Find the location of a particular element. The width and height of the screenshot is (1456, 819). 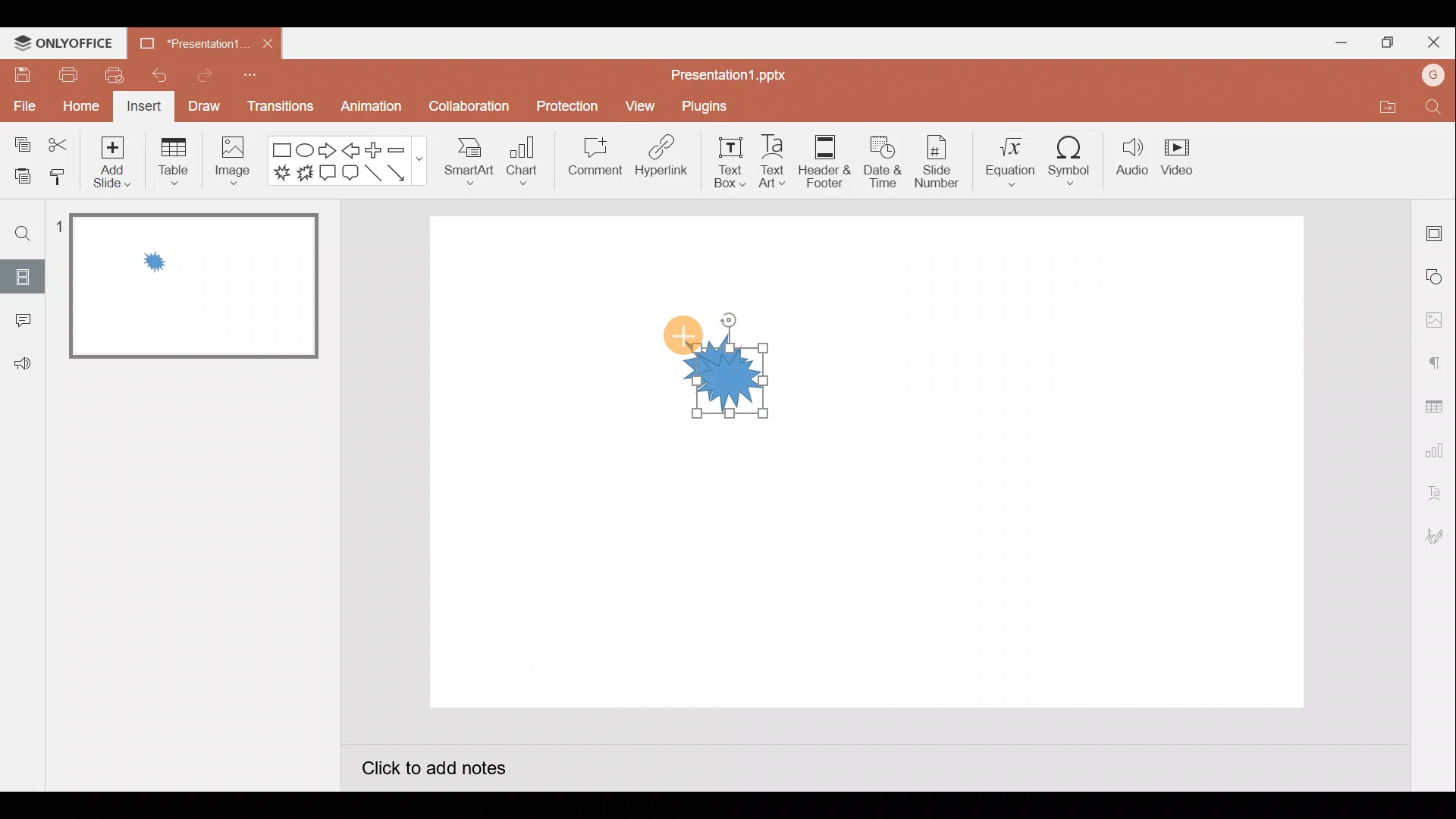

Table is located at coordinates (171, 162).